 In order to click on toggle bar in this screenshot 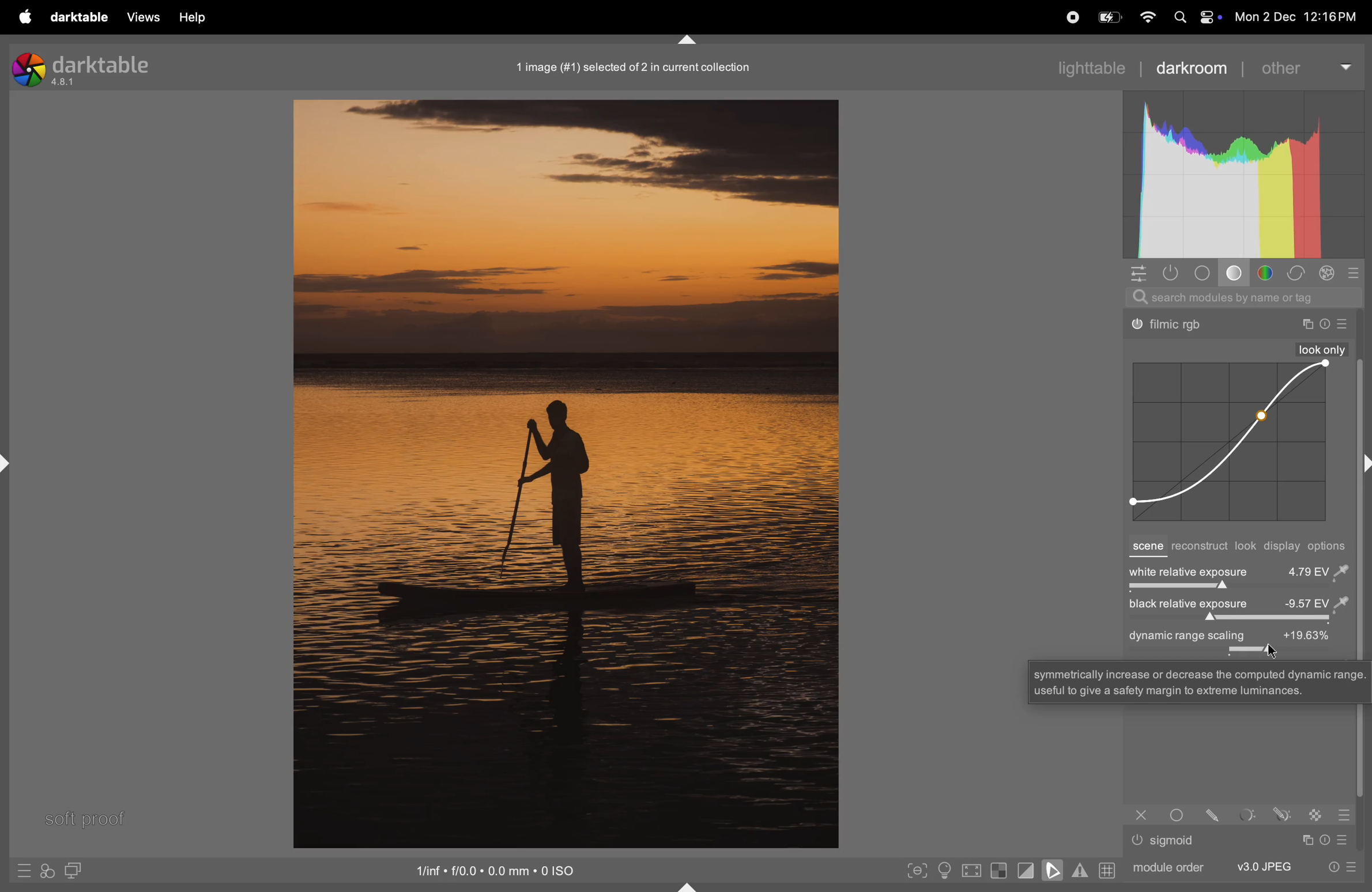, I will do `click(1236, 619)`.